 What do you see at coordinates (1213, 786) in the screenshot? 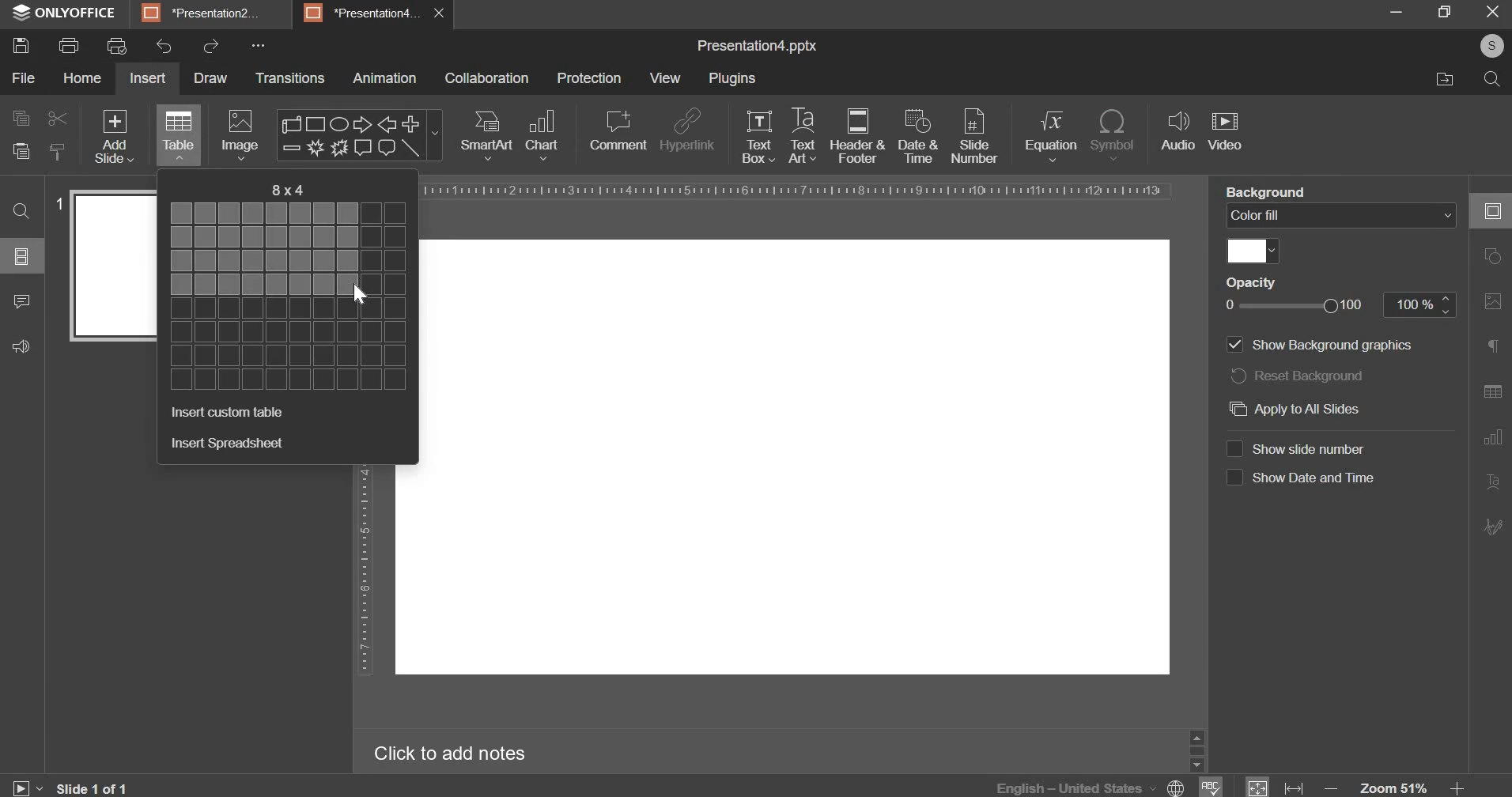
I see `spell checking` at bounding box center [1213, 786].